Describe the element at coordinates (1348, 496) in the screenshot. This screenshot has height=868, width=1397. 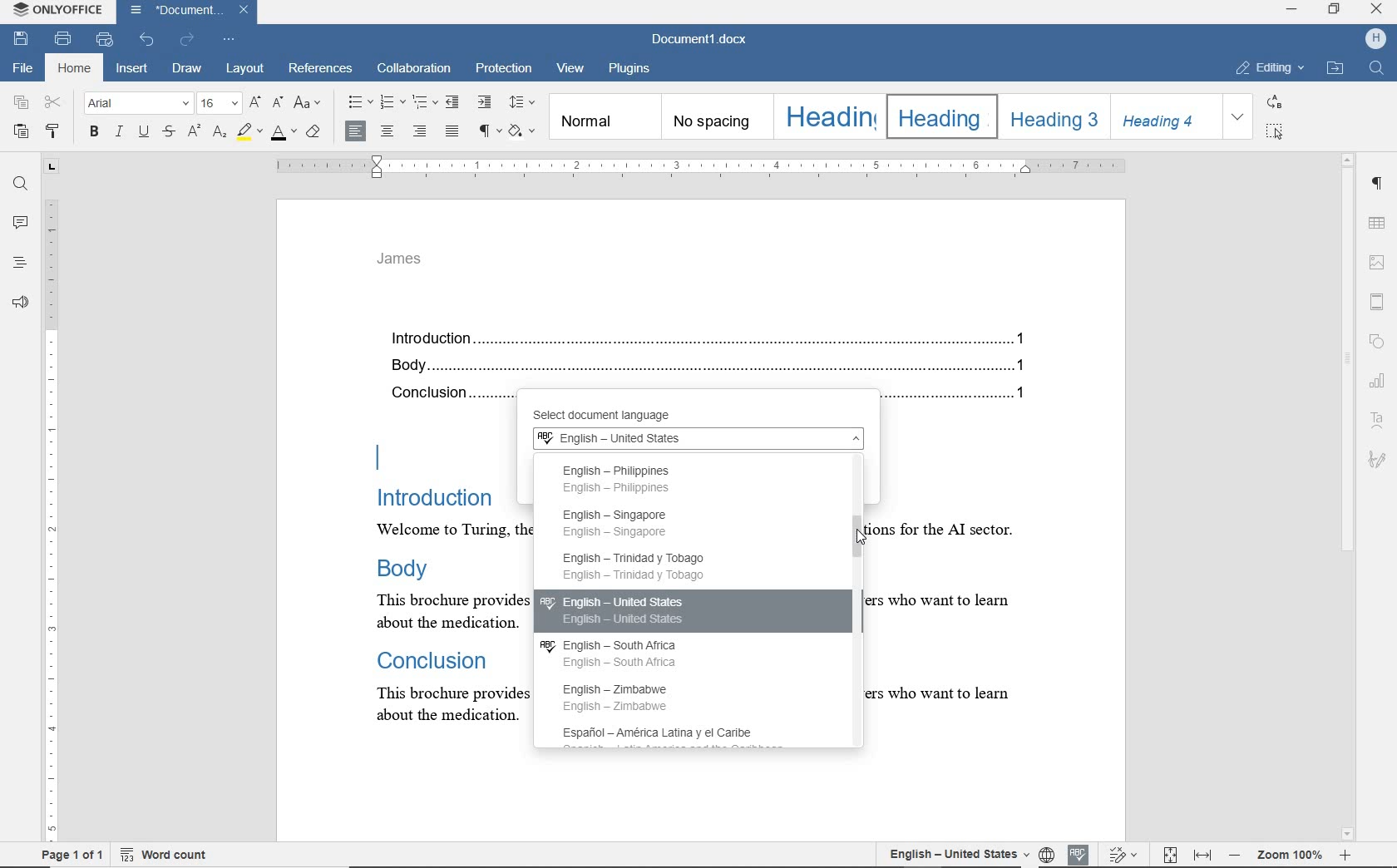
I see `scrollbar` at that location.